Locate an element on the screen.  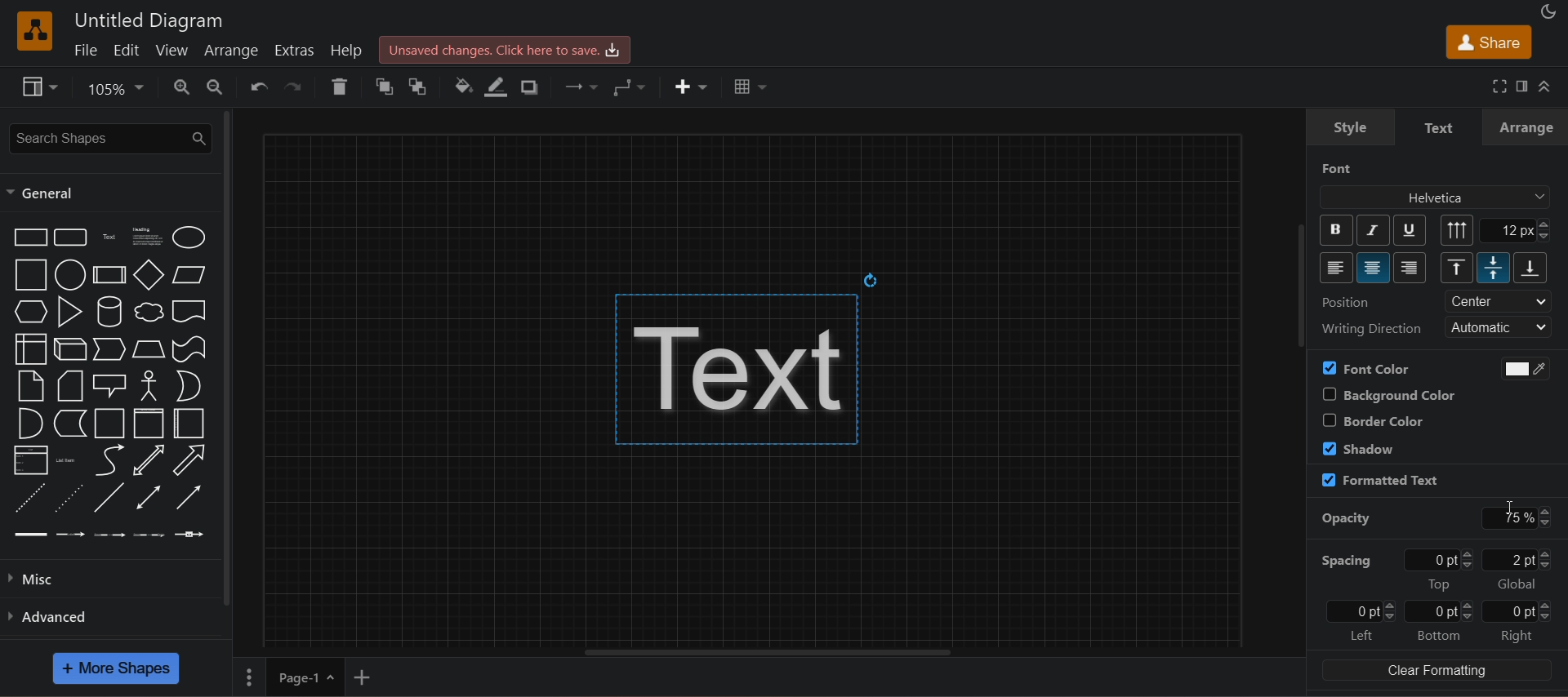
appearance is located at coordinates (1547, 10).